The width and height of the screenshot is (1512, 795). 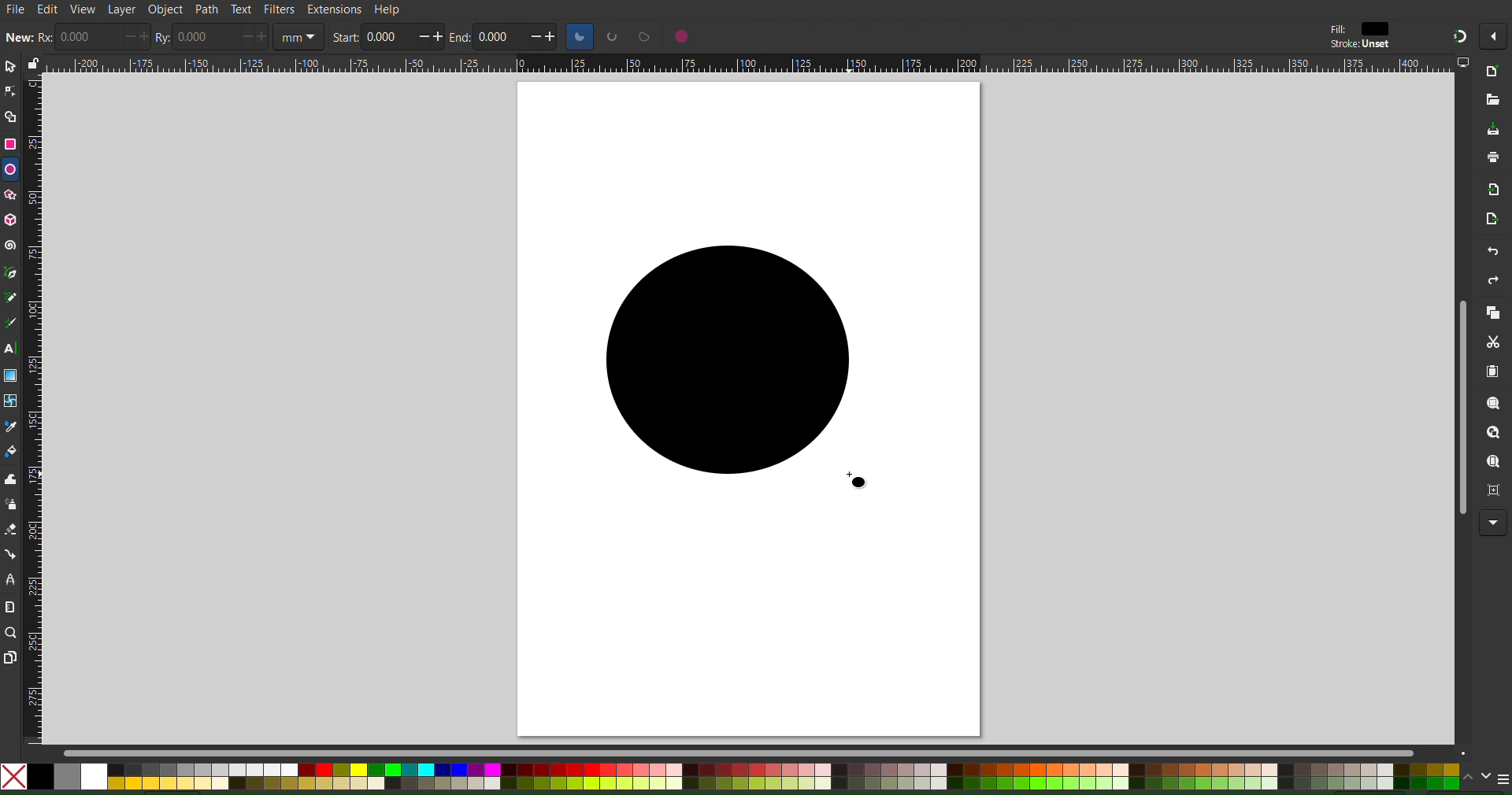 What do you see at coordinates (203, 37) in the screenshot?
I see `0` at bounding box center [203, 37].